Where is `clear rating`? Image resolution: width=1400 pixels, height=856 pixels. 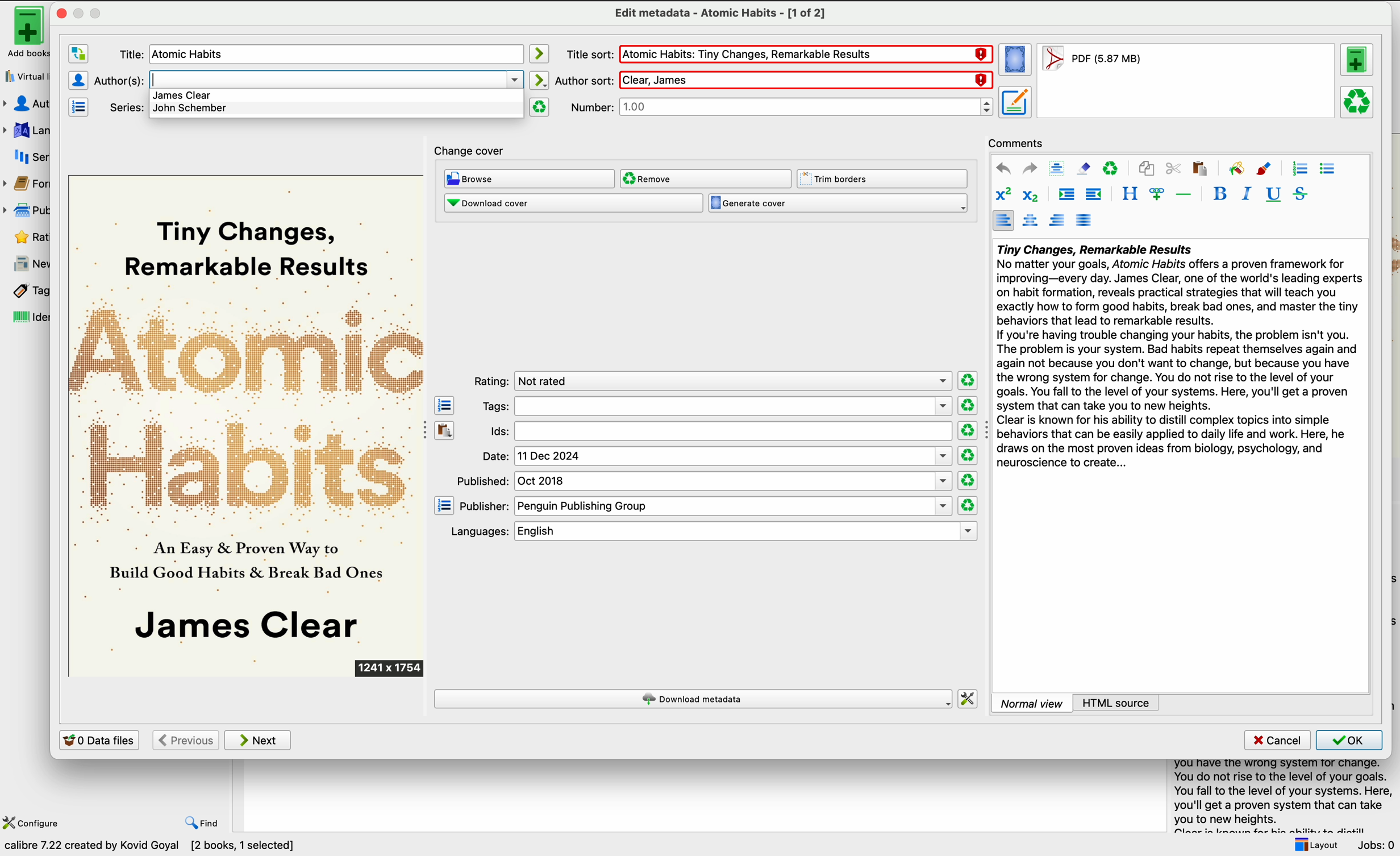 clear rating is located at coordinates (968, 505).